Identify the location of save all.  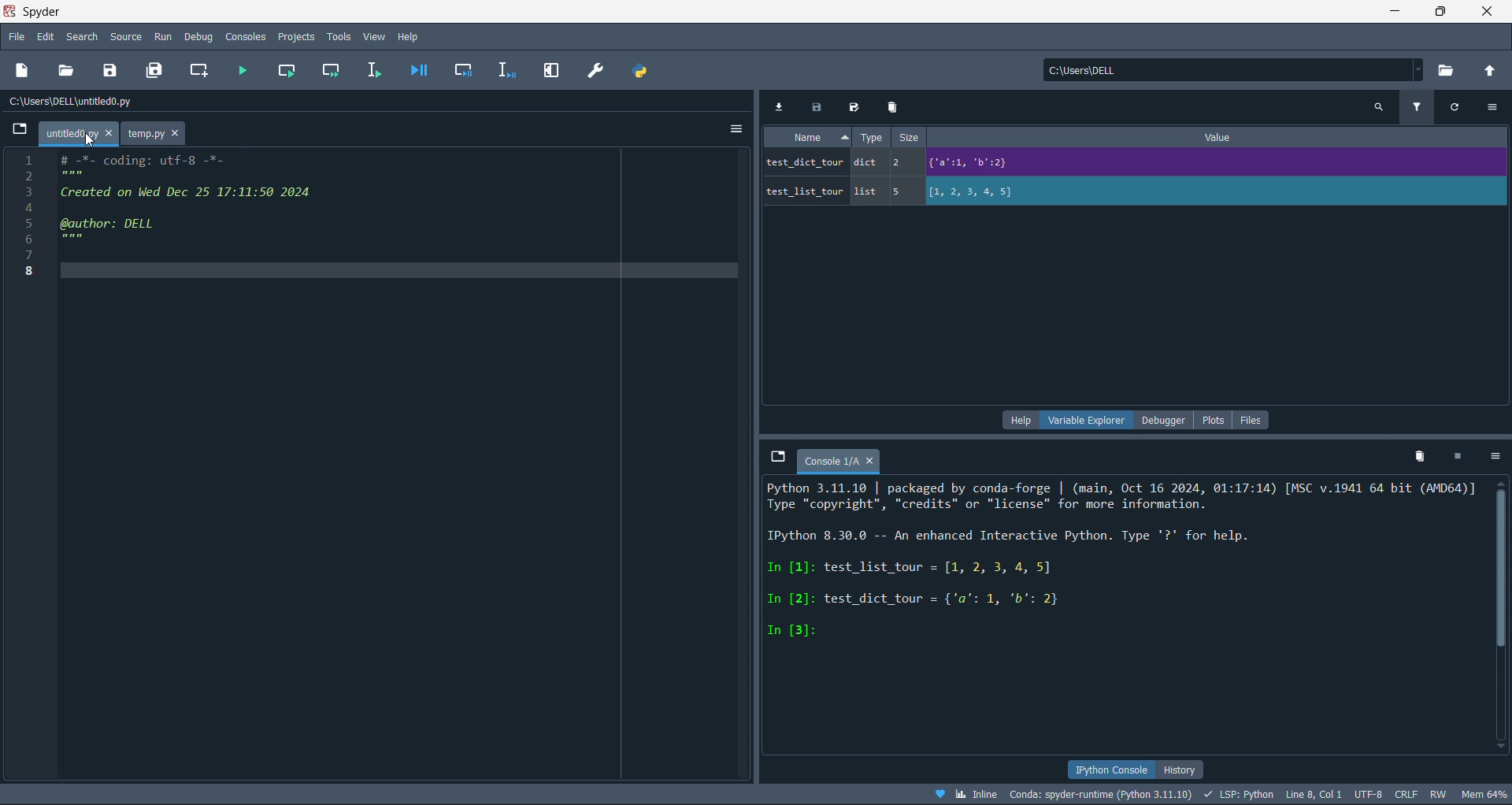
(158, 69).